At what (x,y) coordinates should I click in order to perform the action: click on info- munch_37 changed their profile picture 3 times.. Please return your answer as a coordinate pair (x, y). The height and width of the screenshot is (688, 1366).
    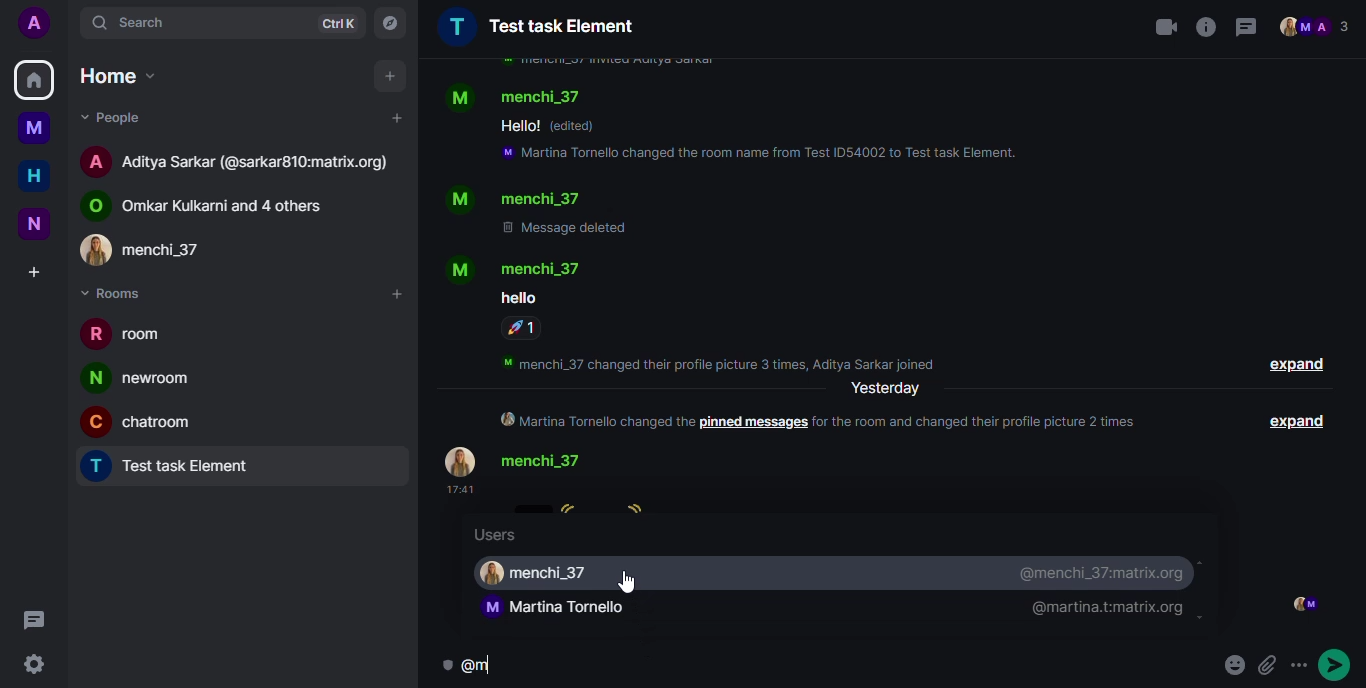
    Looking at the image, I should click on (727, 361).